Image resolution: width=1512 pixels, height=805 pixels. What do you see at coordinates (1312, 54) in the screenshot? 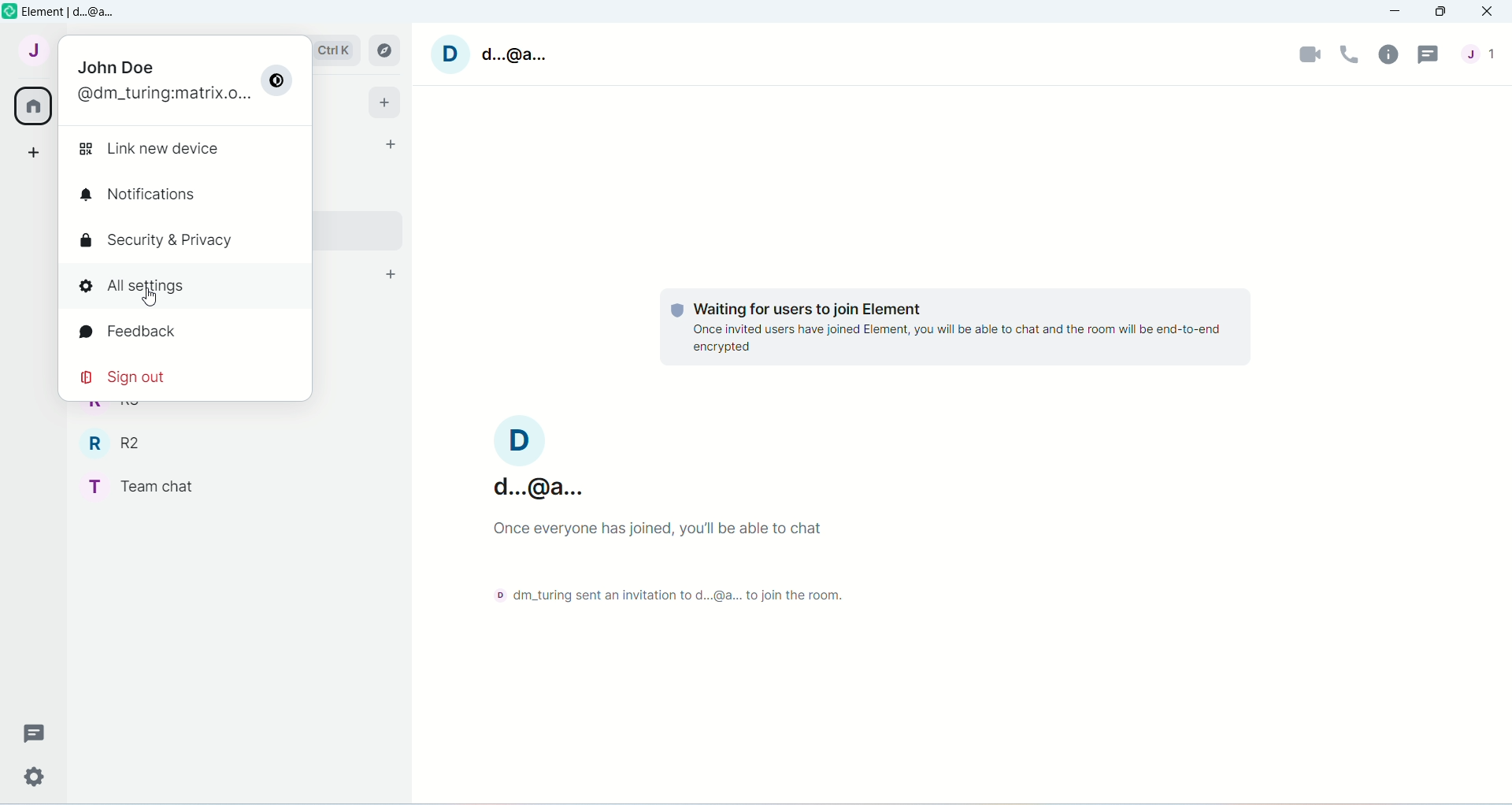
I see `Video call` at bounding box center [1312, 54].